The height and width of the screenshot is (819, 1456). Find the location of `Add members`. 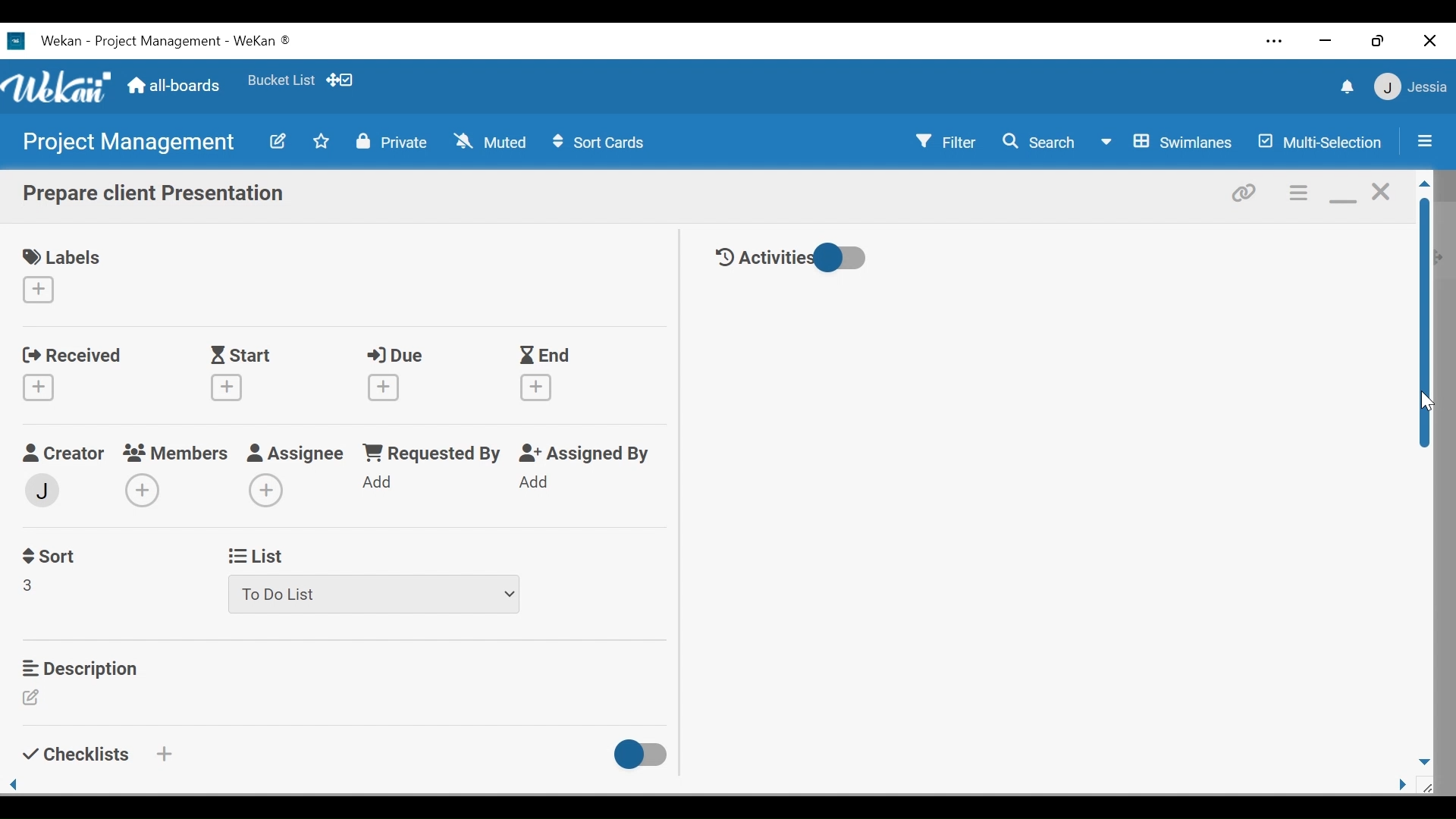

Add members is located at coordinates (143, 491).